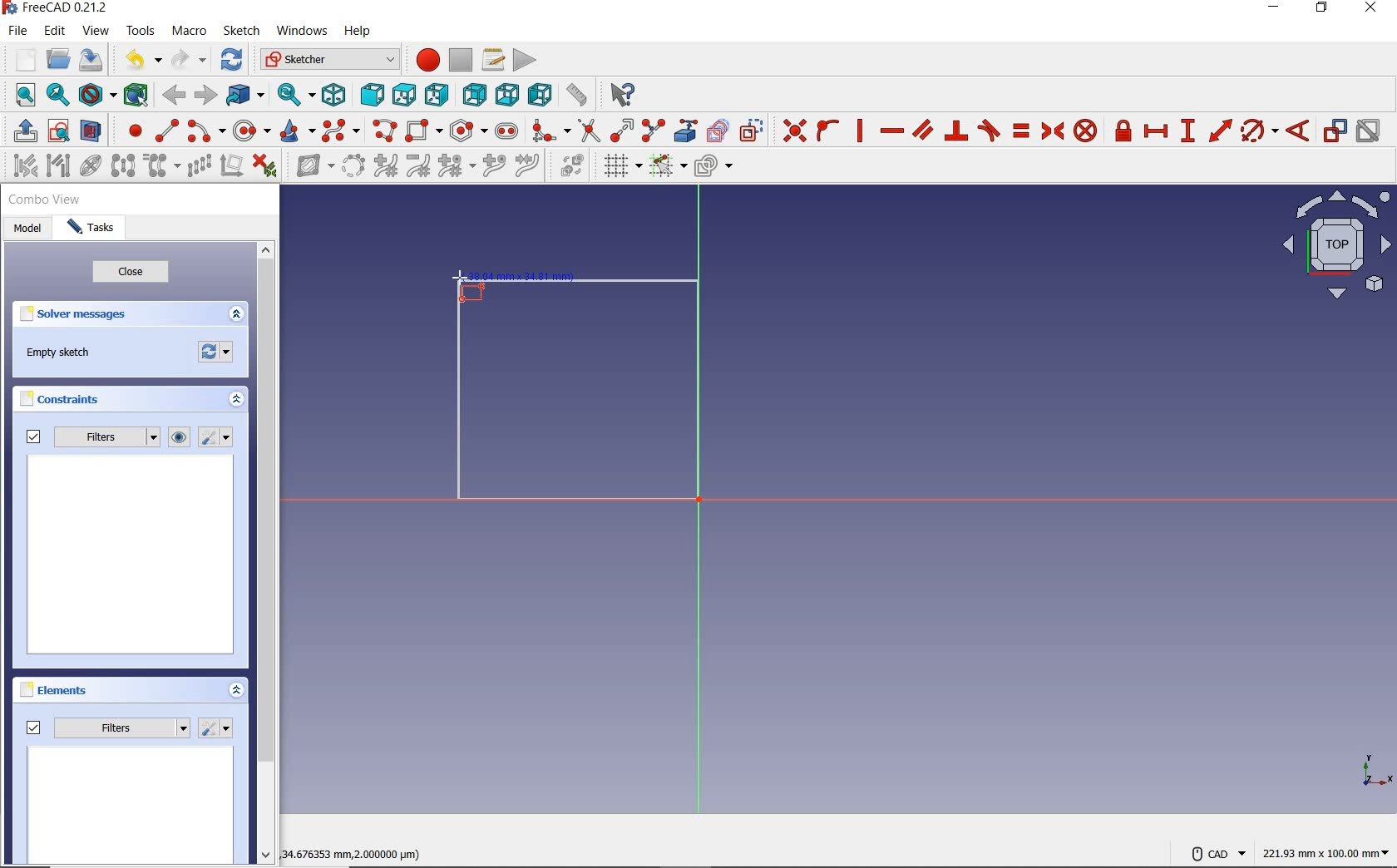 Image resolution: width=1397 pixels, height=868 pixels. What do you see at coordinates (204, 94) in the screenshot?
I see `forward` at bounding box center [204, 94].